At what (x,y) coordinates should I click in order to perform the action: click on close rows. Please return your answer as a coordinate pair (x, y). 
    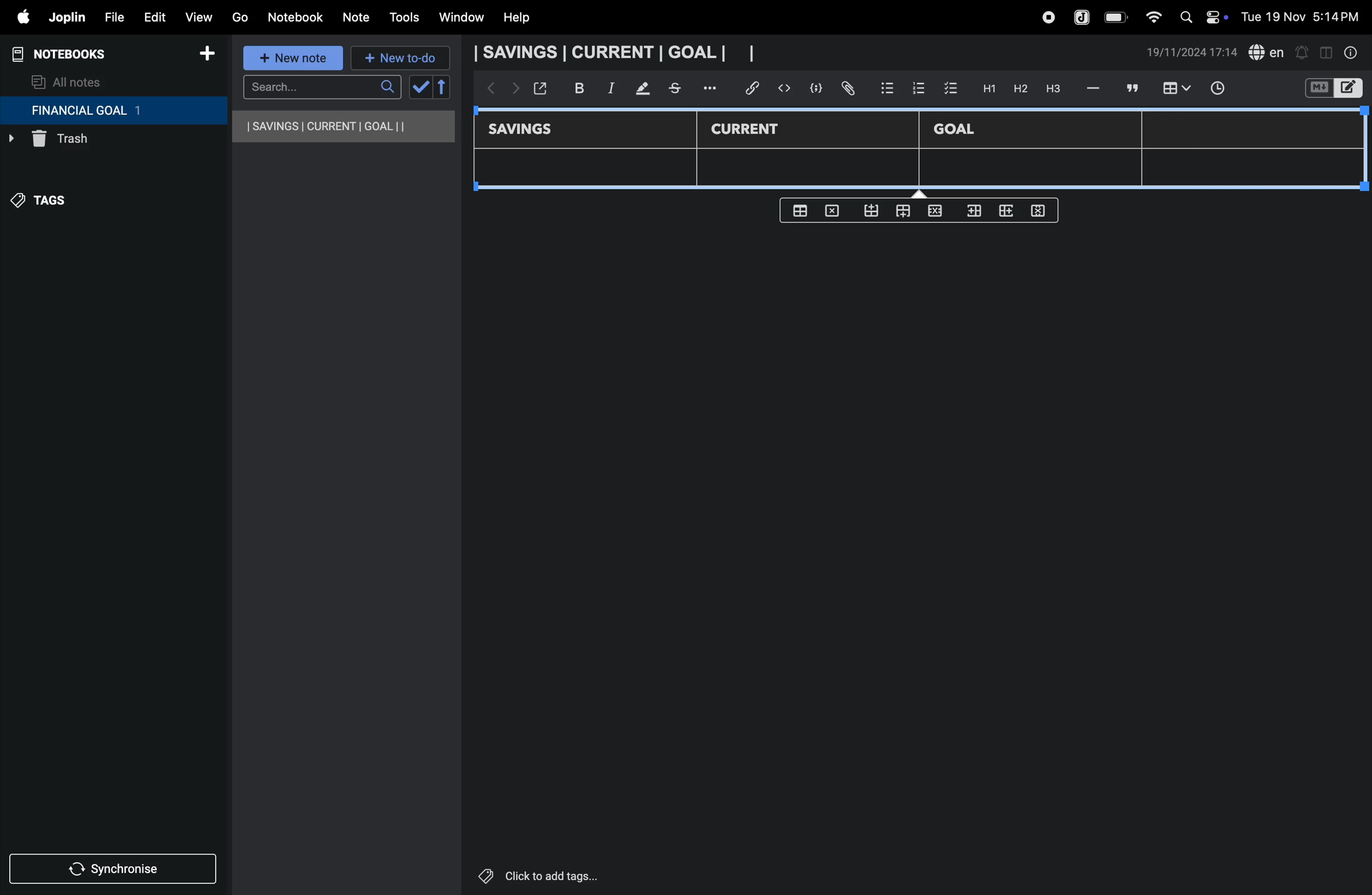
    Looking at the image, I should click on (933, 213).